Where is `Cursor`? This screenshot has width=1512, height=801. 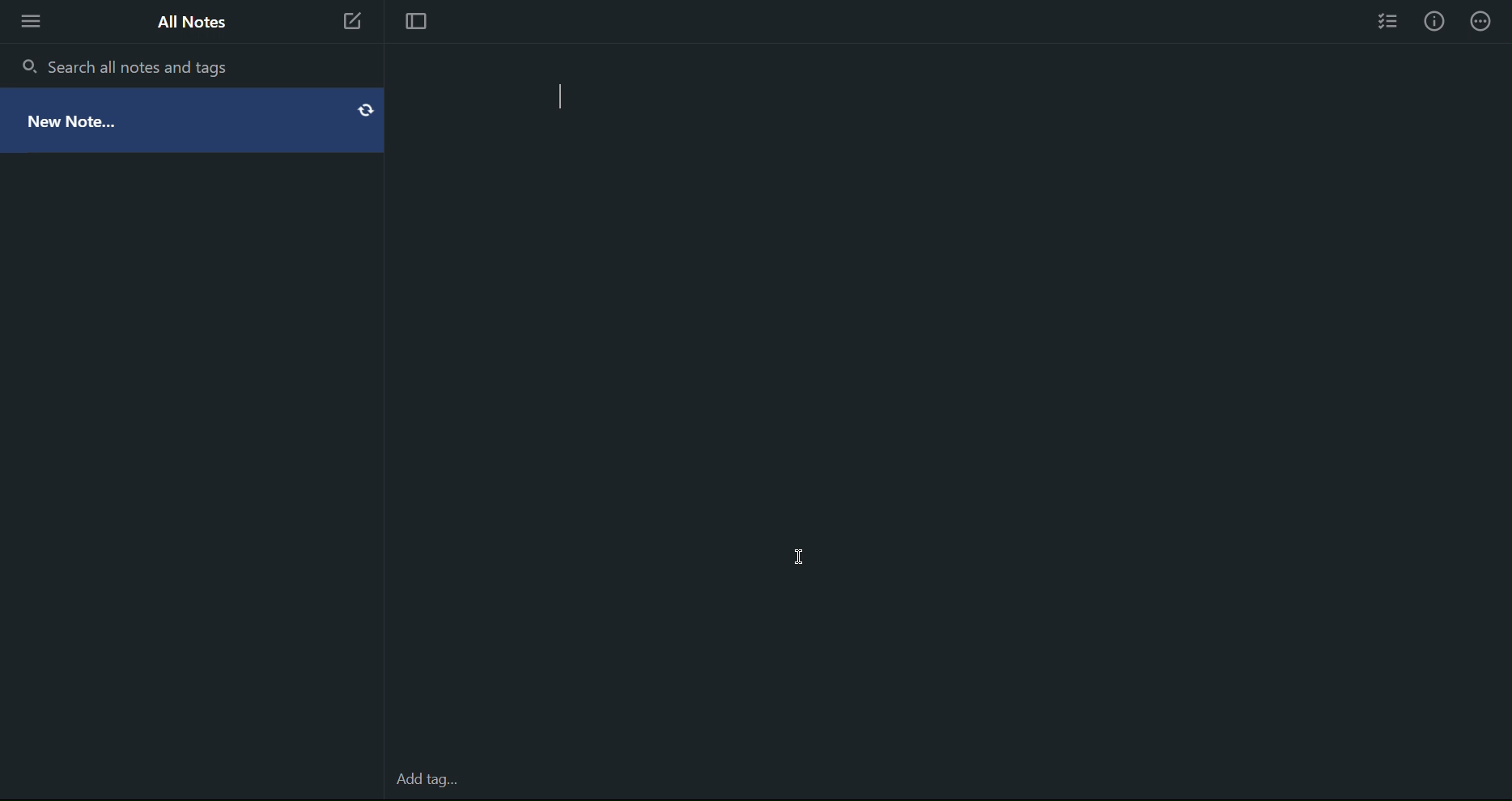 Cursor is located at coordinates (797, 554).